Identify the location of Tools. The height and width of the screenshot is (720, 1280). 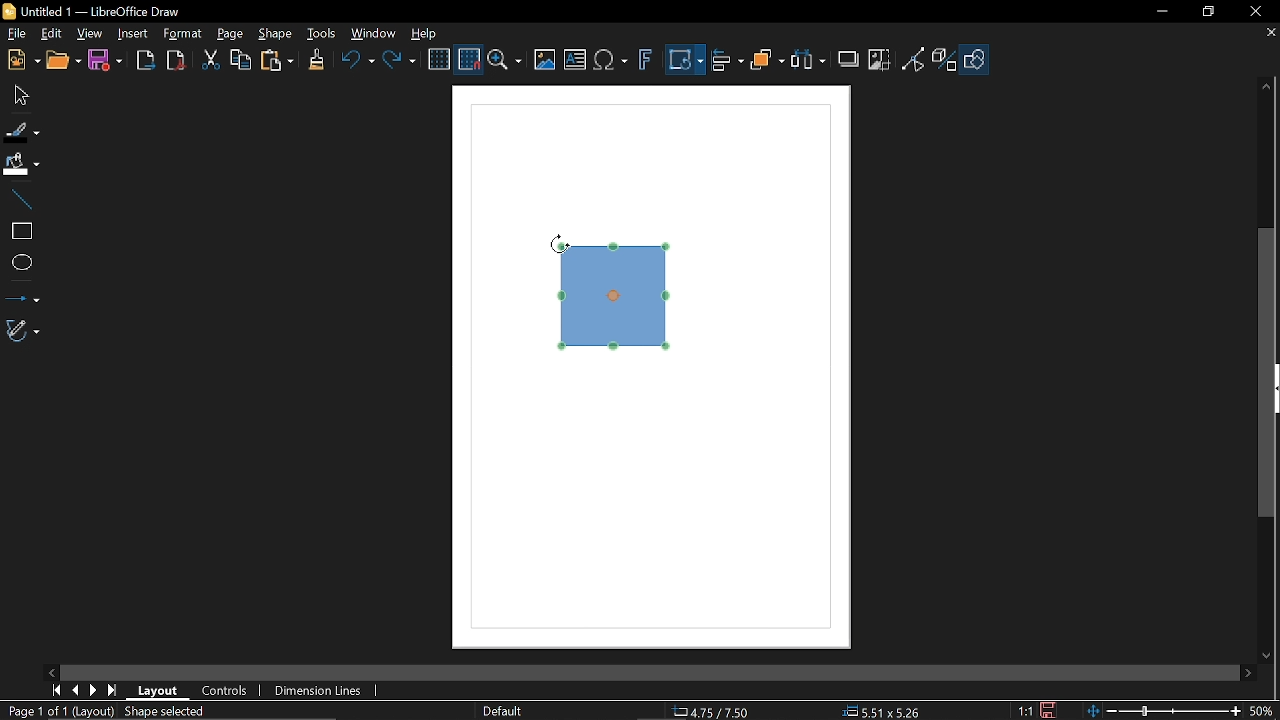
(321, 33).